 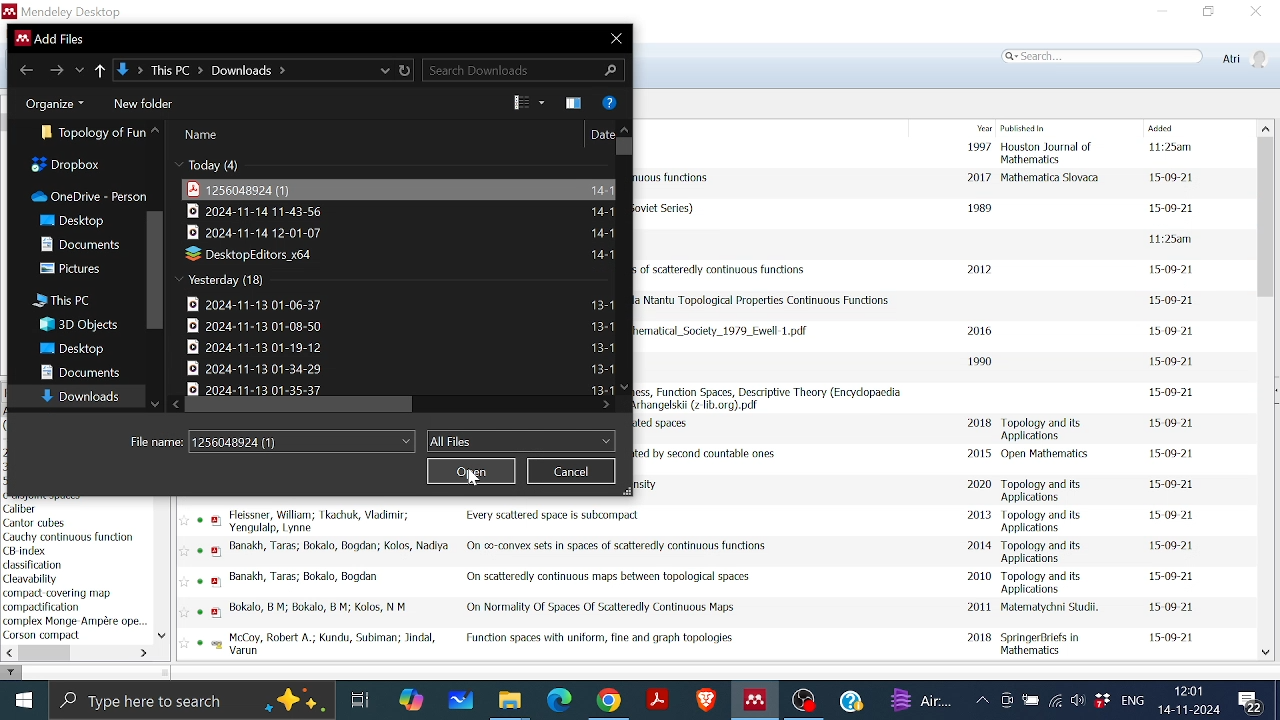 What do you see at coordinates (524, 70) in the screenshot?
I see `Search Download` at bounding box center [524, 70].